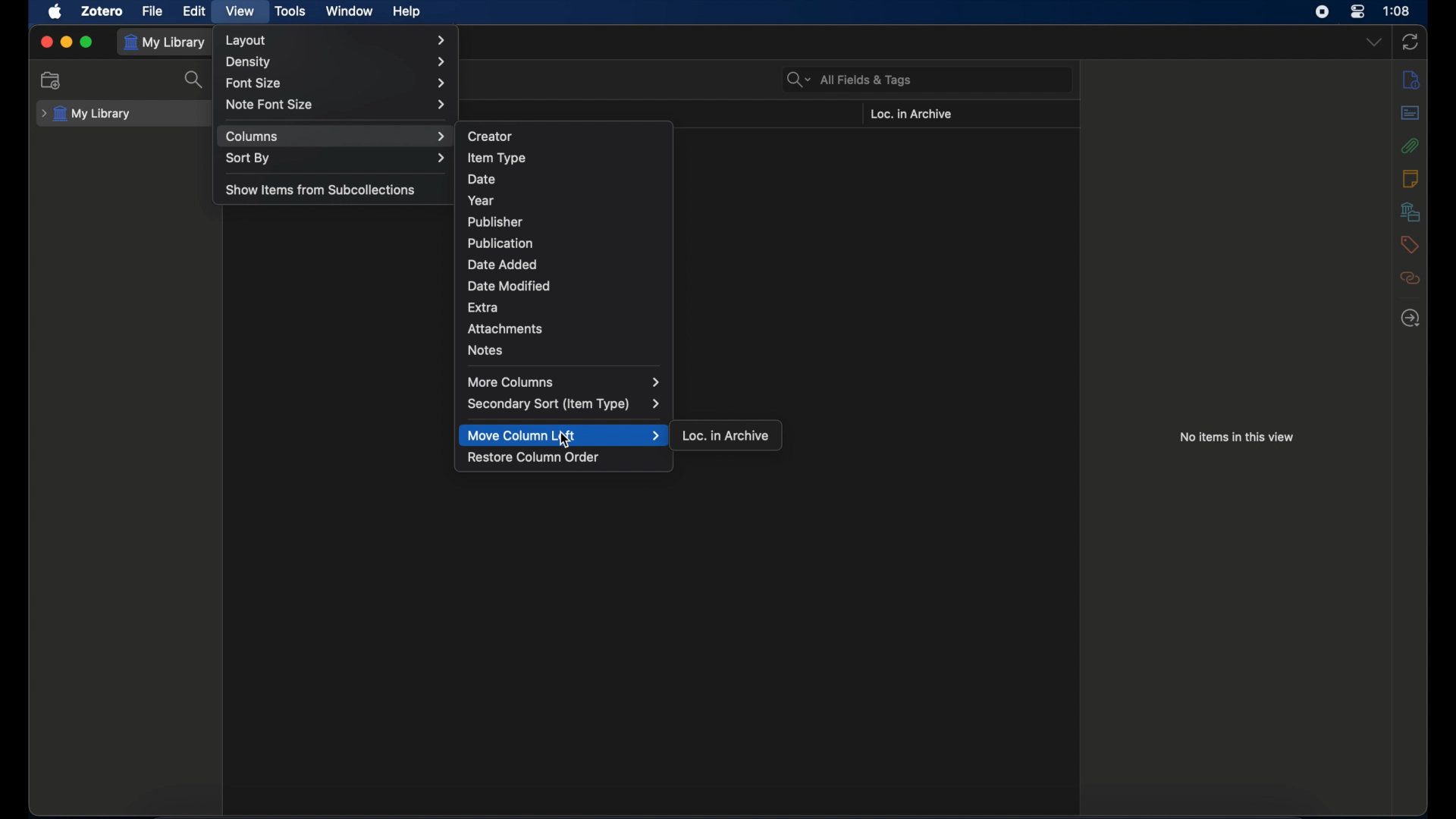 The height and width of the screenshot is (819, 1456). I want to click on secondary sort, so click(563, 404).